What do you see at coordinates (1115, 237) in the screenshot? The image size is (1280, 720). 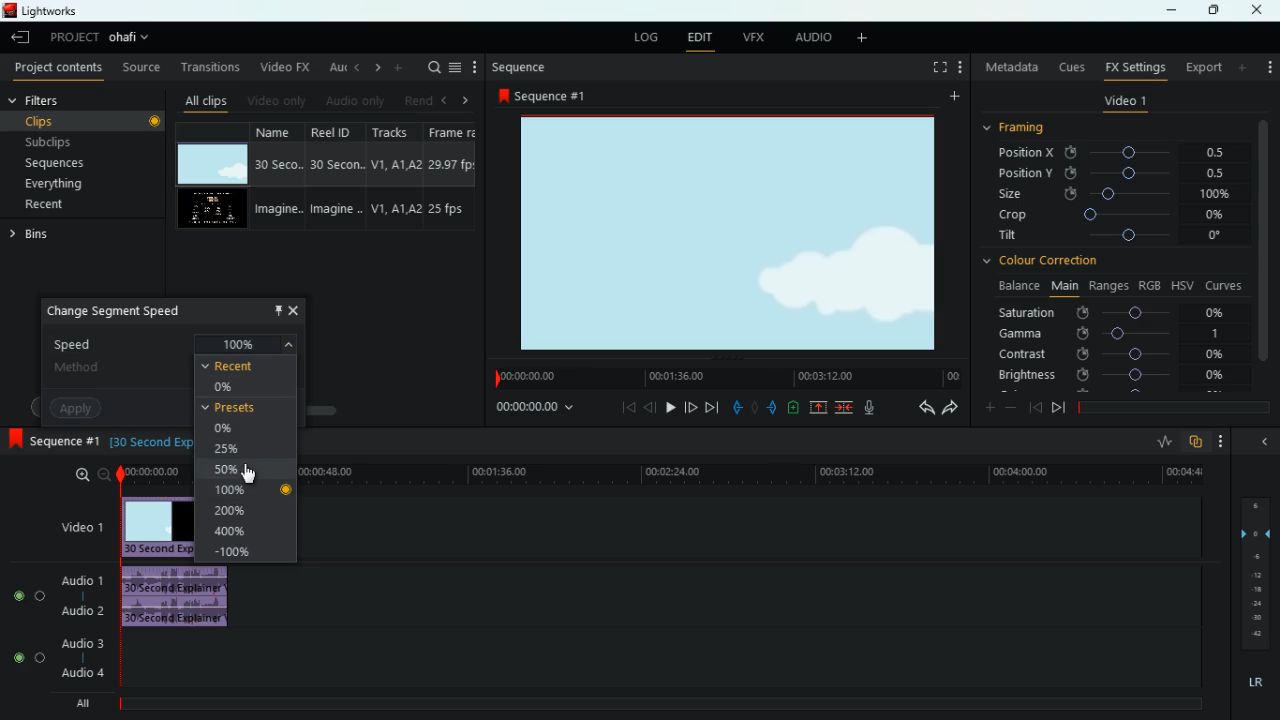 I see `` at bounding box center [1115, 237].